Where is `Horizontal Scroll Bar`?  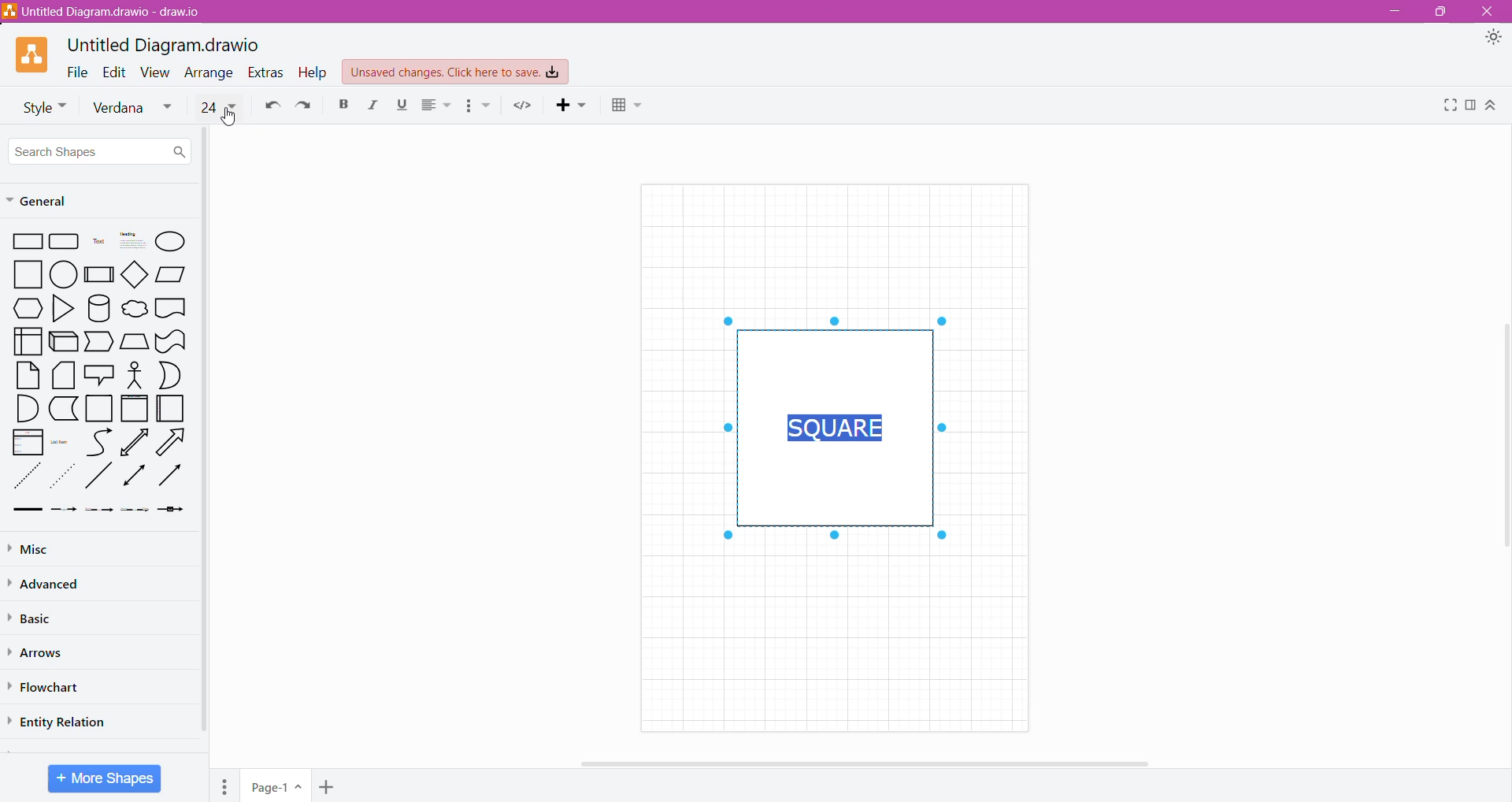
Horizontal Scroll Bar is located at coordinates (862, 763).